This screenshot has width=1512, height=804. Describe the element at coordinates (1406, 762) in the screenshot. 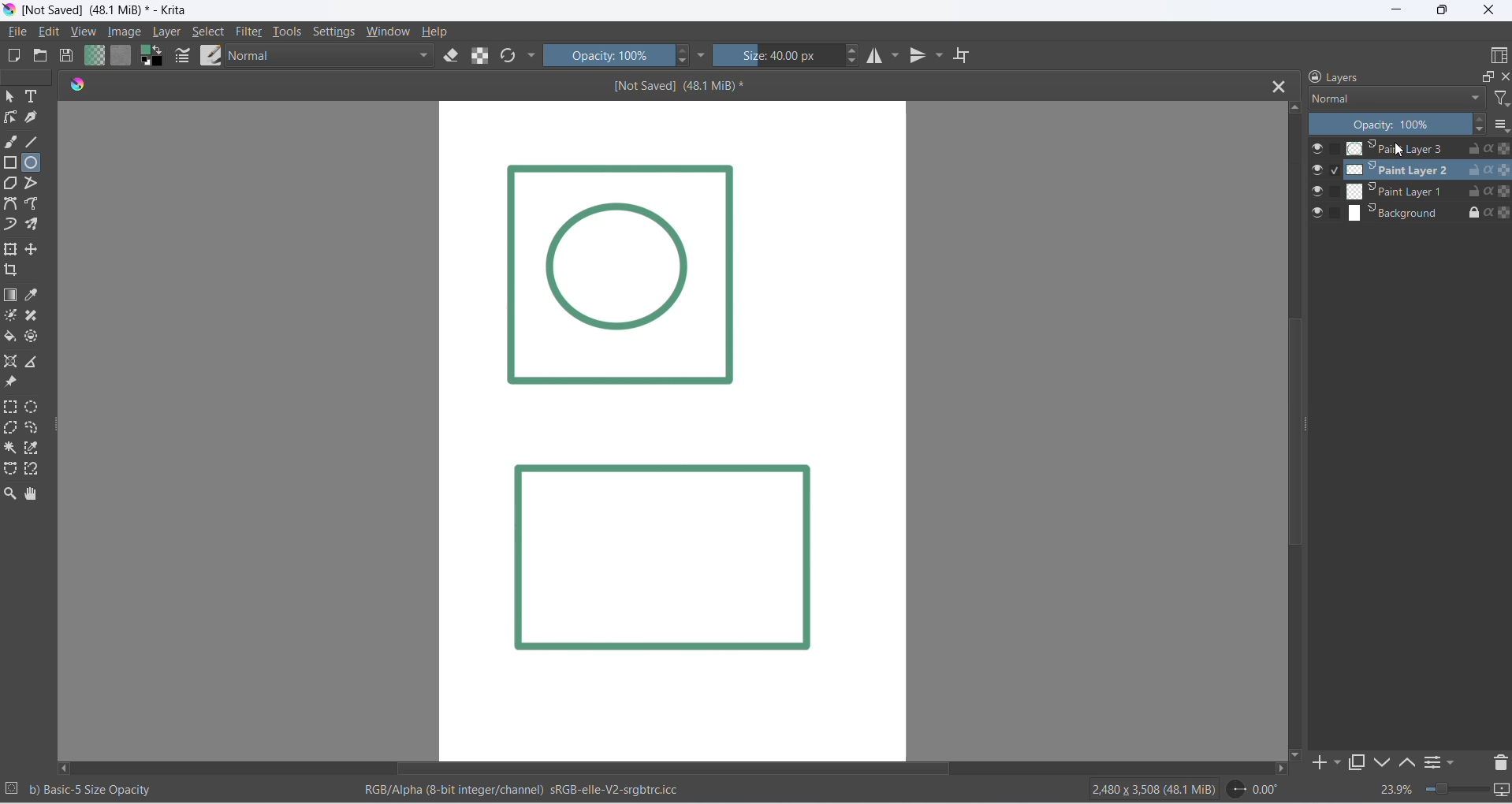

I see `move up` at that location.